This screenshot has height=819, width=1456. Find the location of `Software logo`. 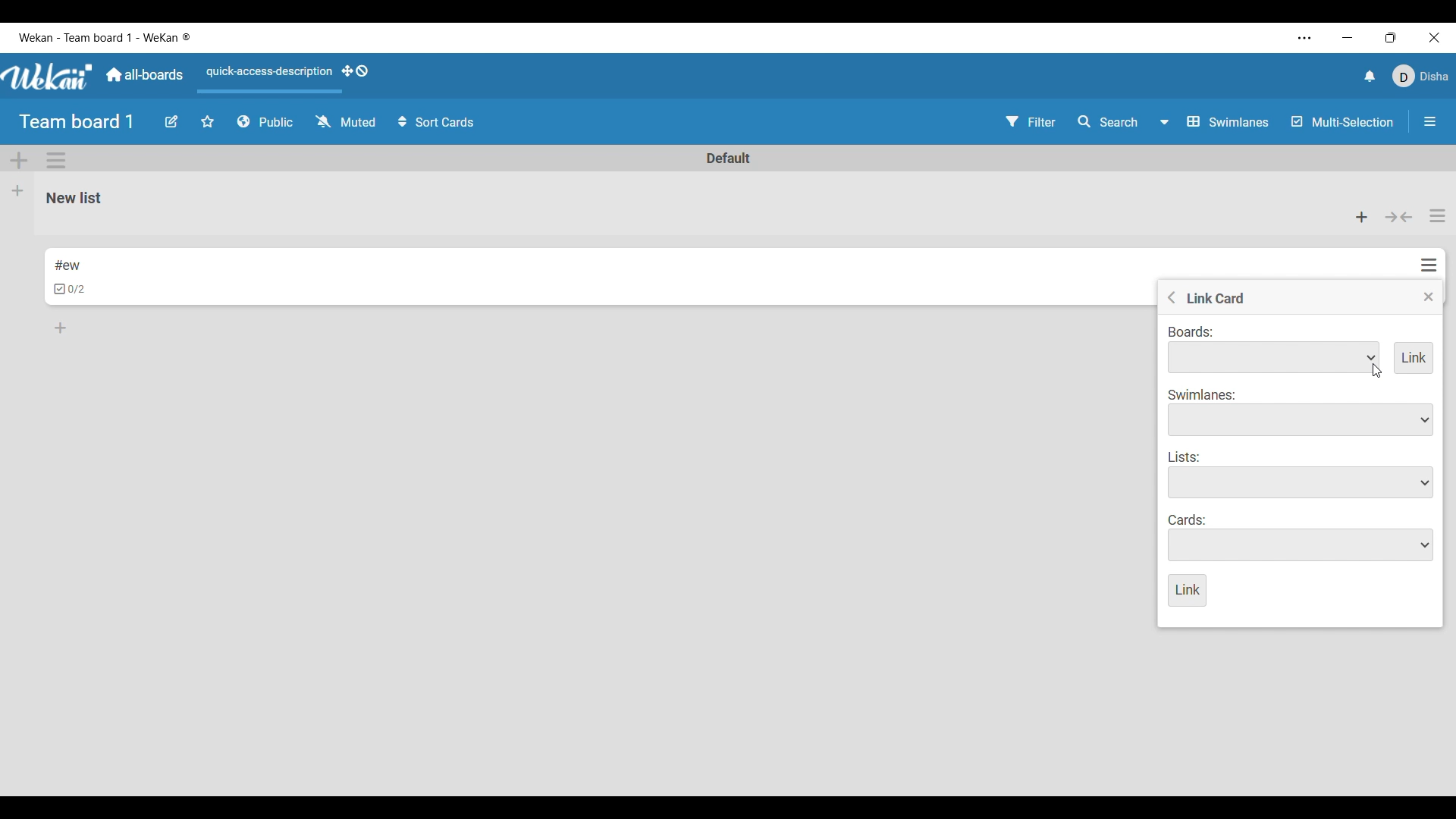

Software logo is located at coordinates (49, 77).